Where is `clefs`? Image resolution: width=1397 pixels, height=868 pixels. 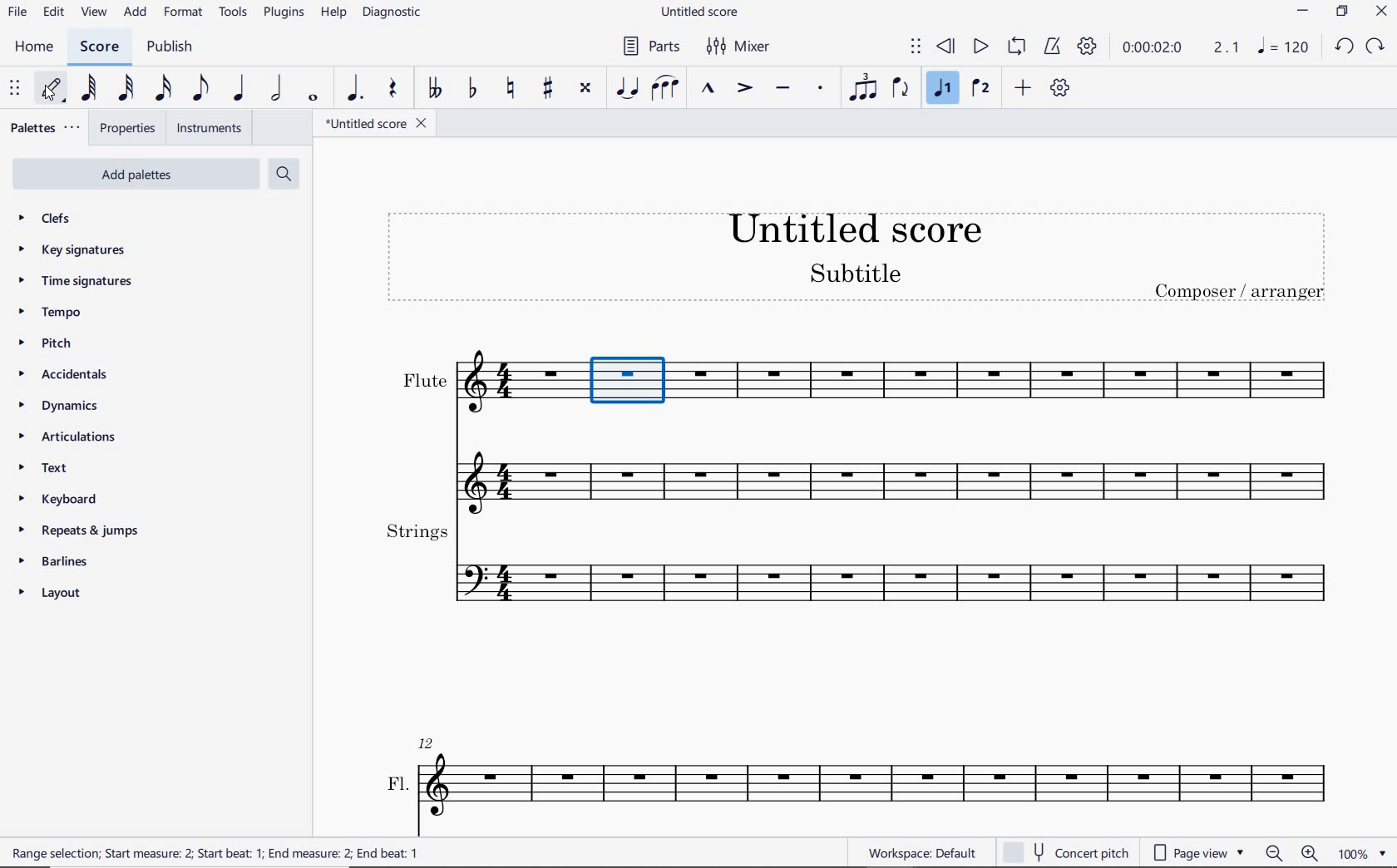
clefs is located at coordinates (72, 219).